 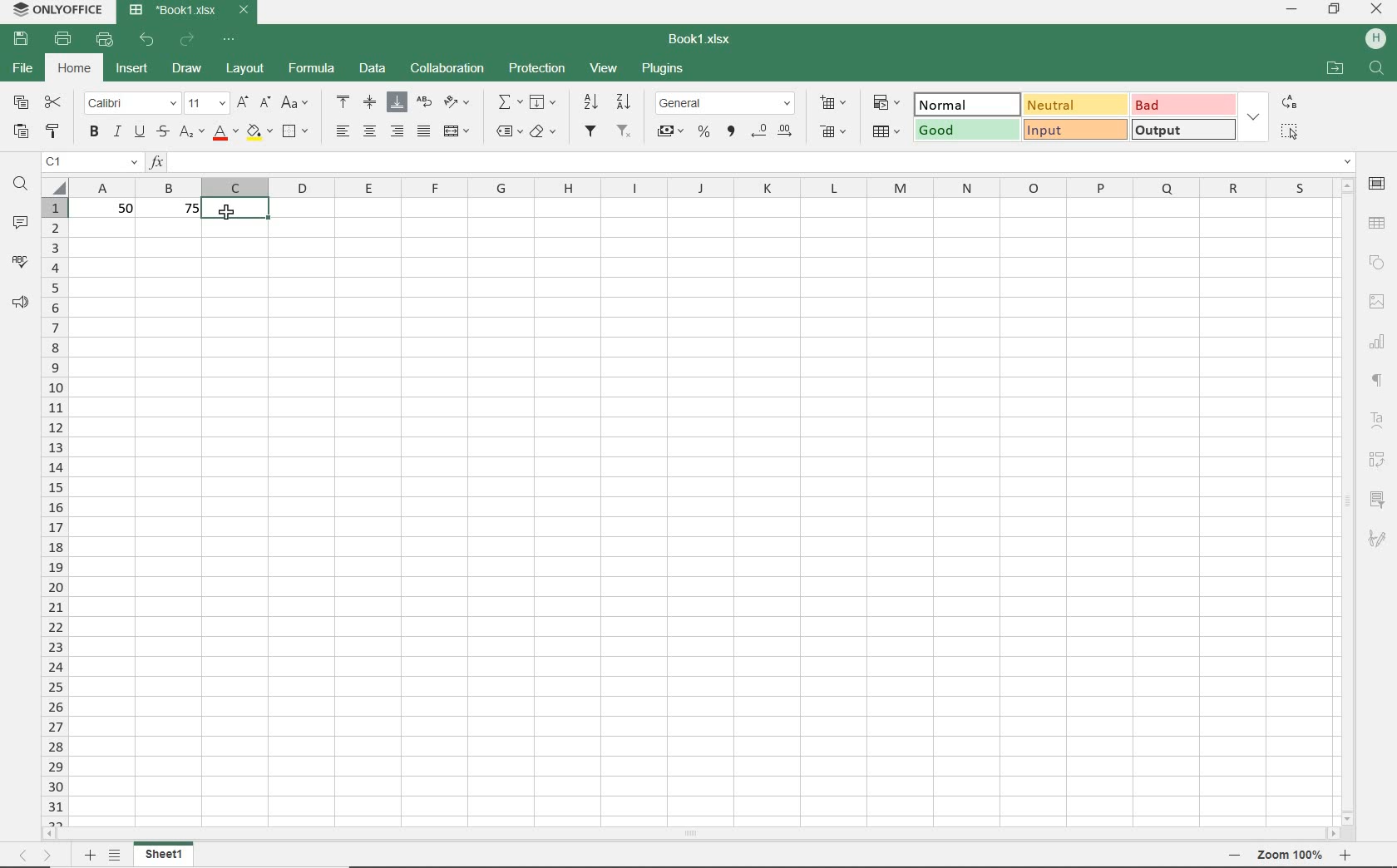 I want to click on comments, so click(x=22, y=220).